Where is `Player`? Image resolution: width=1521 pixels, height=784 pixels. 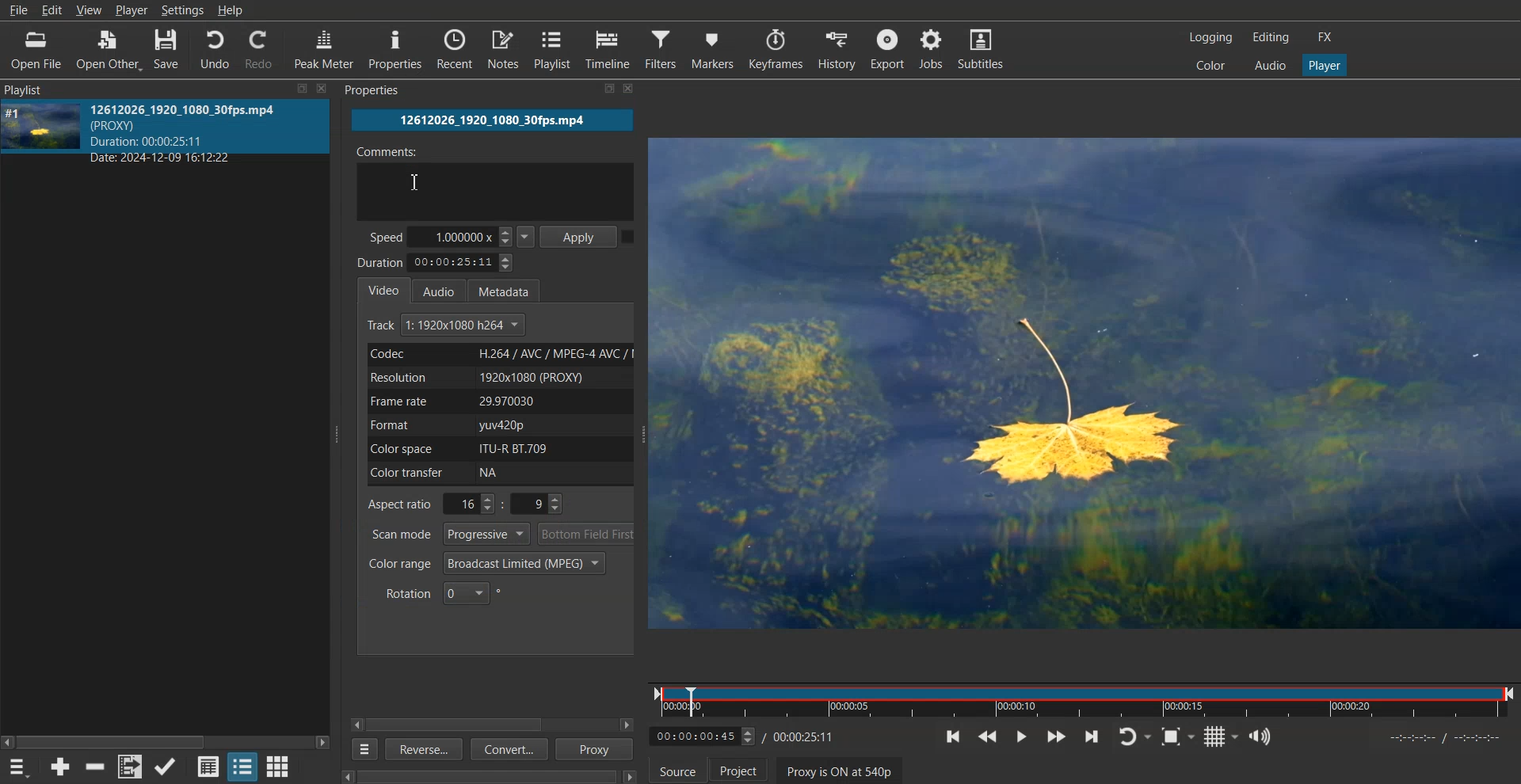 Player is located at coordinates (132, 11).